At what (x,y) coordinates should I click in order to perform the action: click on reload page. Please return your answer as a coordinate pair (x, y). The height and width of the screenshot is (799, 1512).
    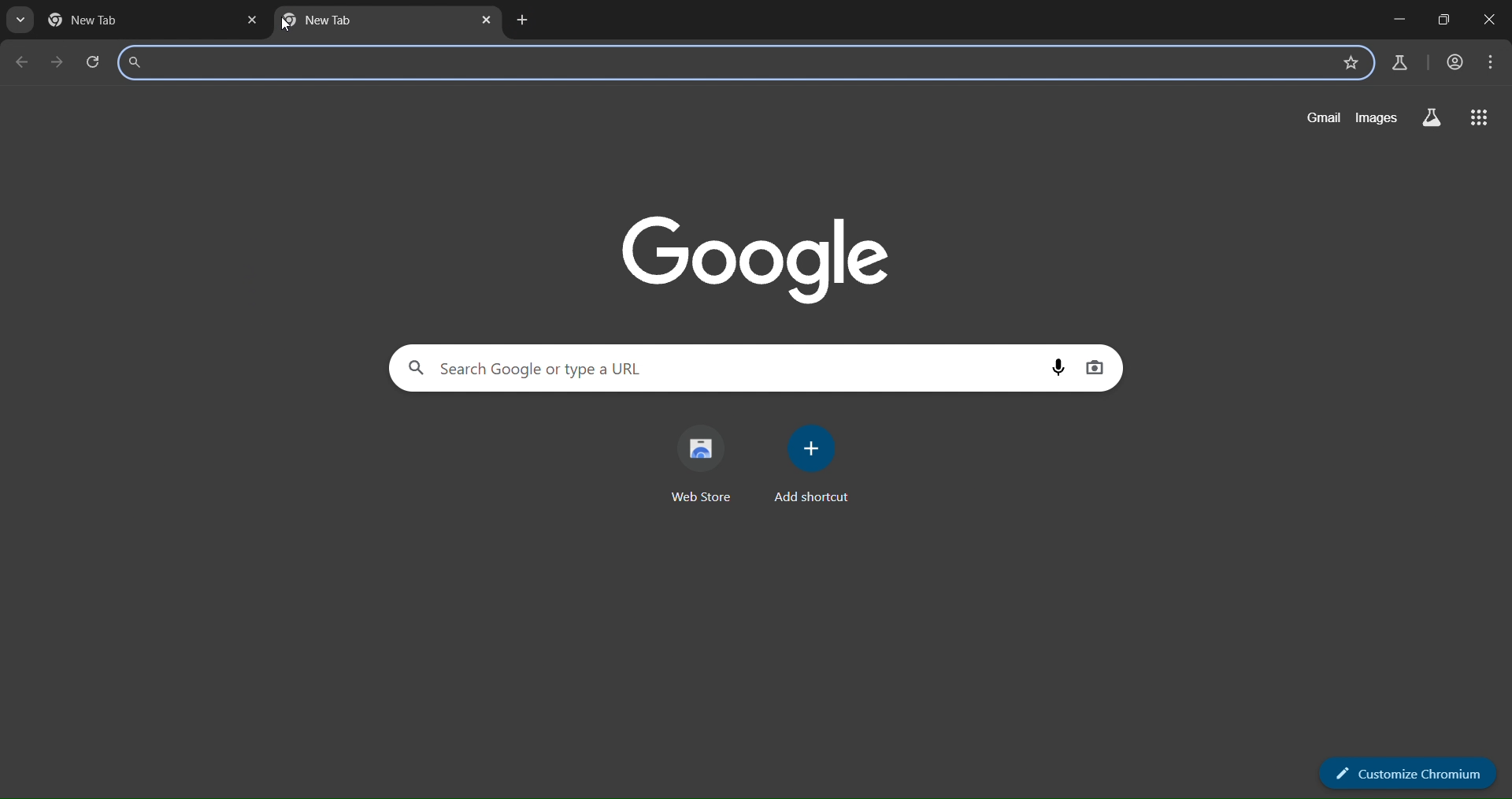
    Looking at the image, I should click on (96, 62).